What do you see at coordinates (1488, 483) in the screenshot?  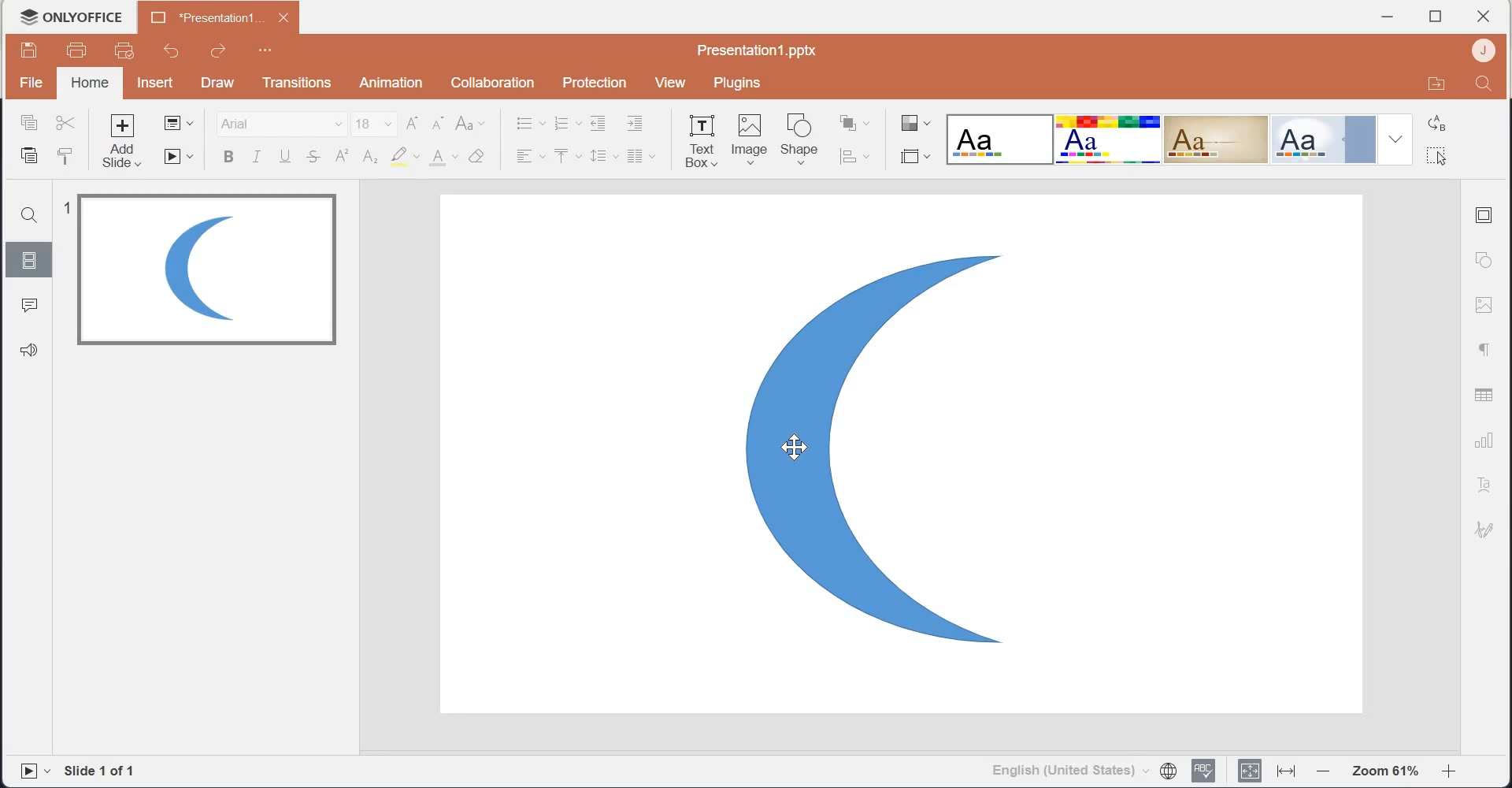 I see `Text` at bounding box center [1488, 483].